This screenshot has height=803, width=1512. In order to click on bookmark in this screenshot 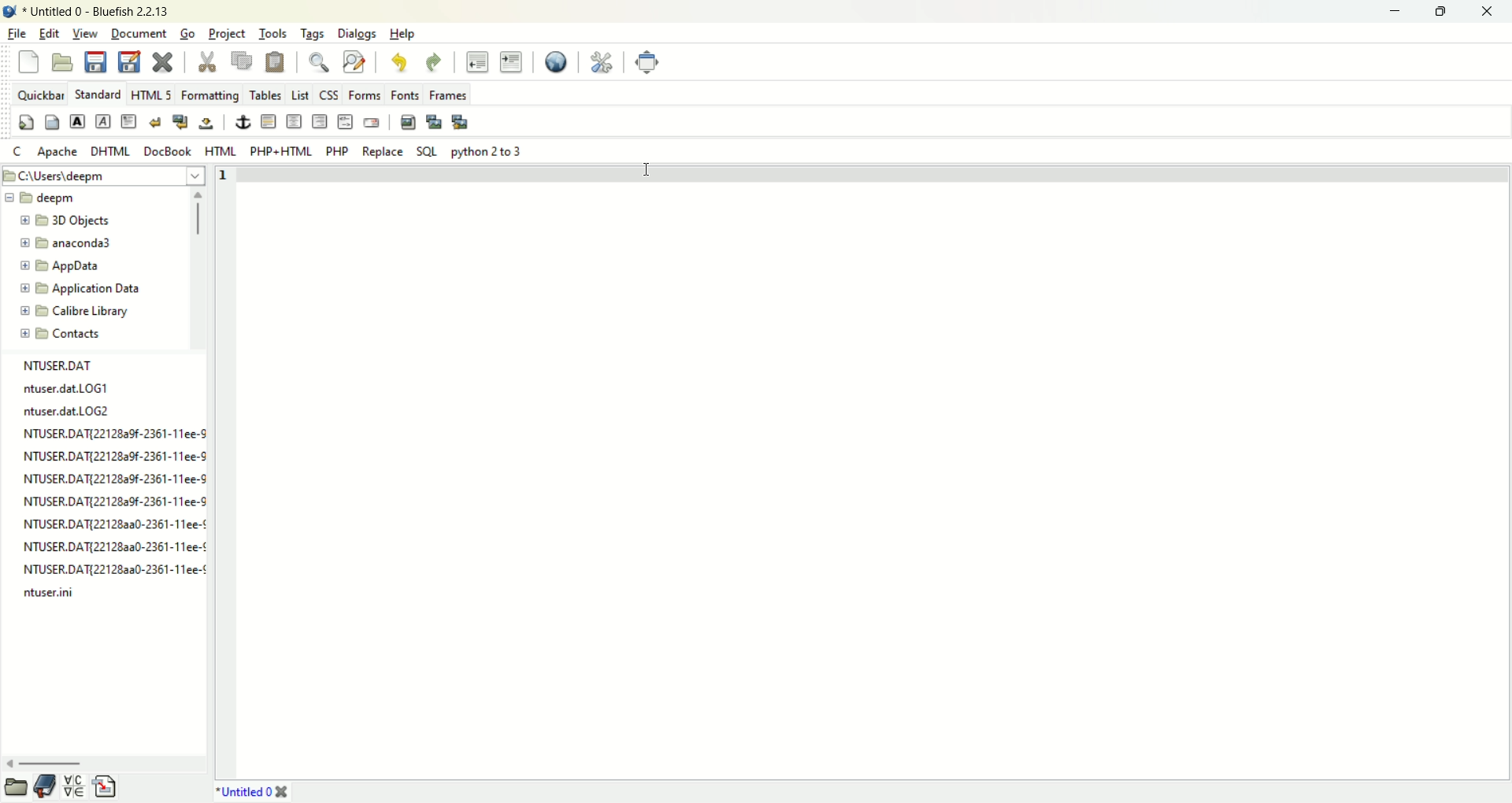, I will do `click(48, 786)`.